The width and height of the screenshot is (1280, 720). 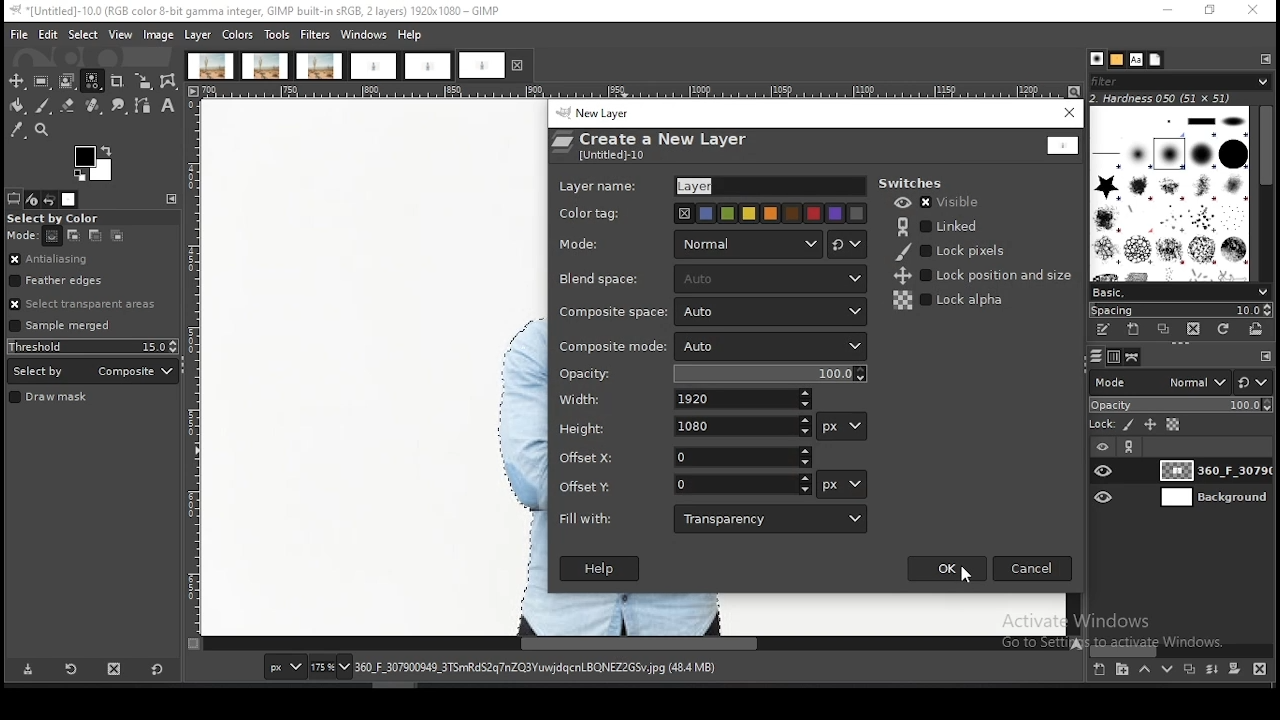 What do you see at coordinates (771, 312) in the screenshot?
I see `composite spae` at bounding box center [771, 312].